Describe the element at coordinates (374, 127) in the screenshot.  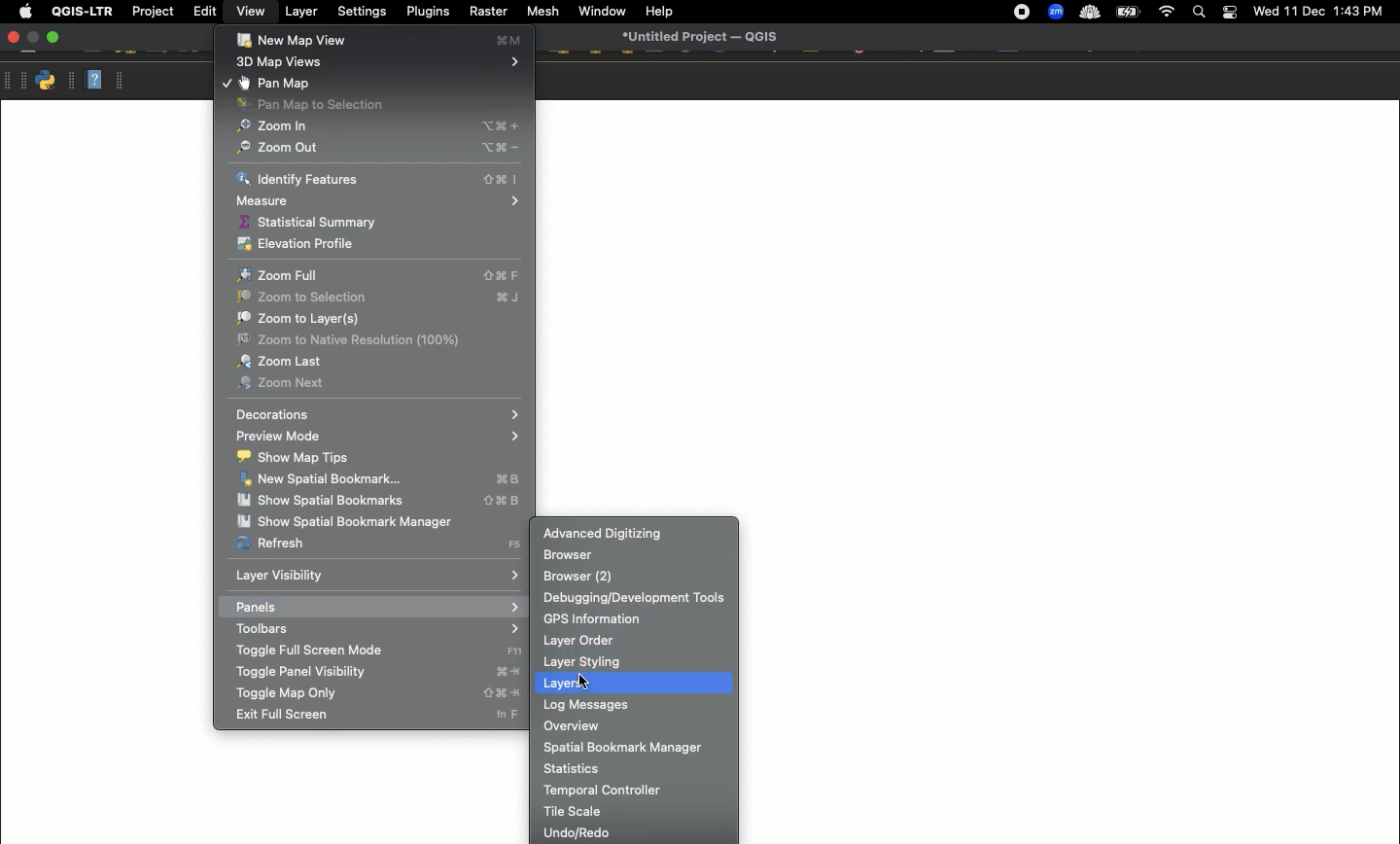
I see `Zoom in` at that location.